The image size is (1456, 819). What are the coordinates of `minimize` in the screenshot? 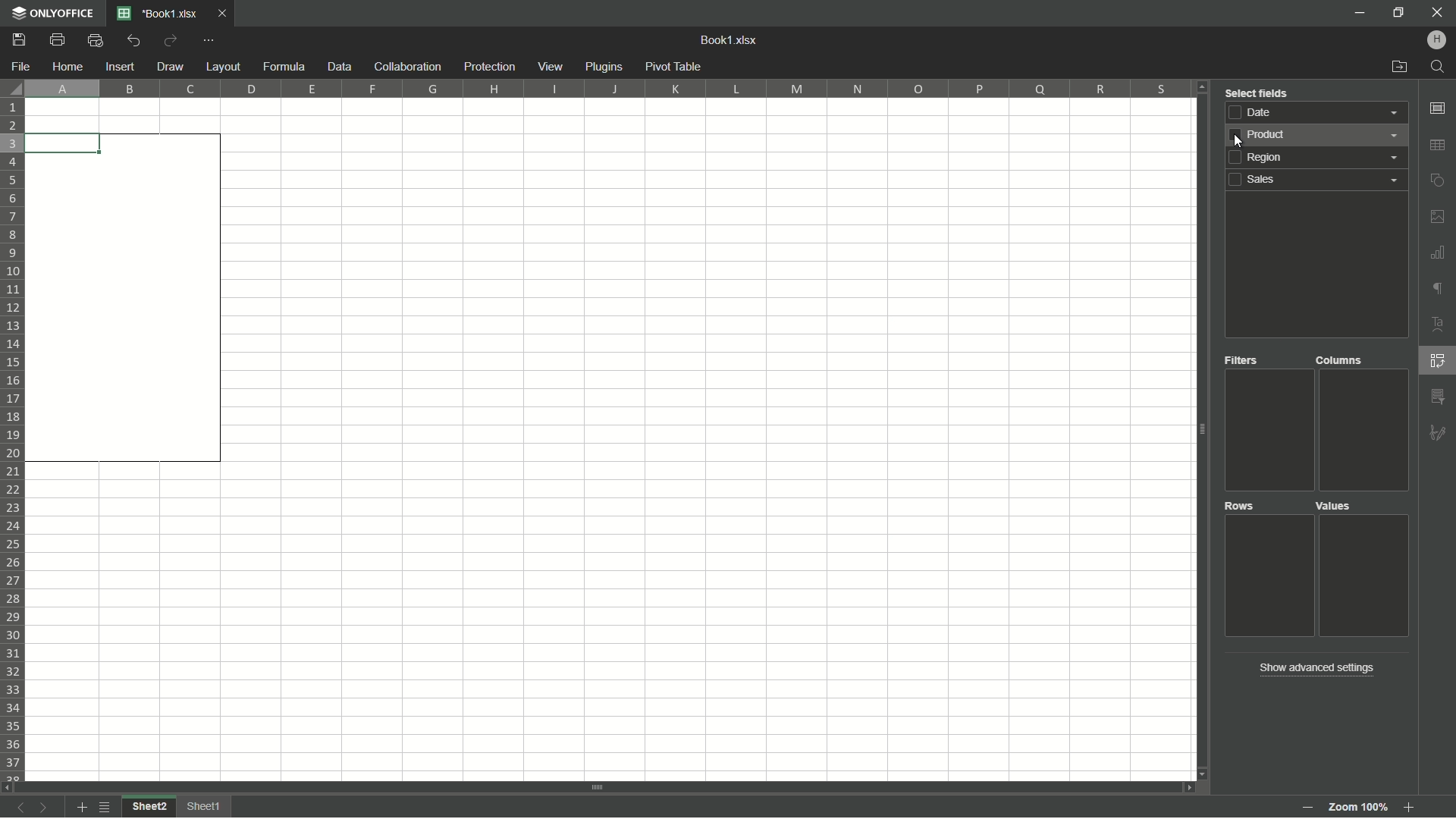 It's located at (1359, 13).